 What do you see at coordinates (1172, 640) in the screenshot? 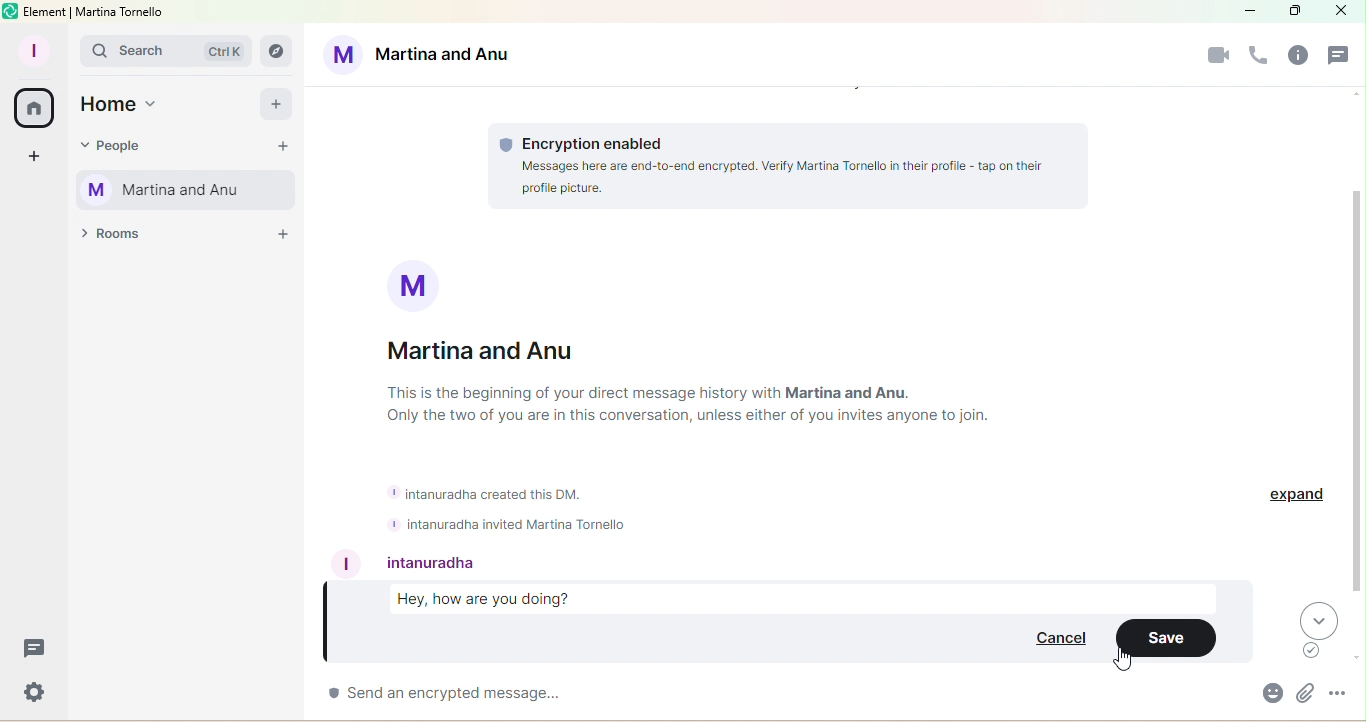
I see `Save` at bounding box center [1172, 640].